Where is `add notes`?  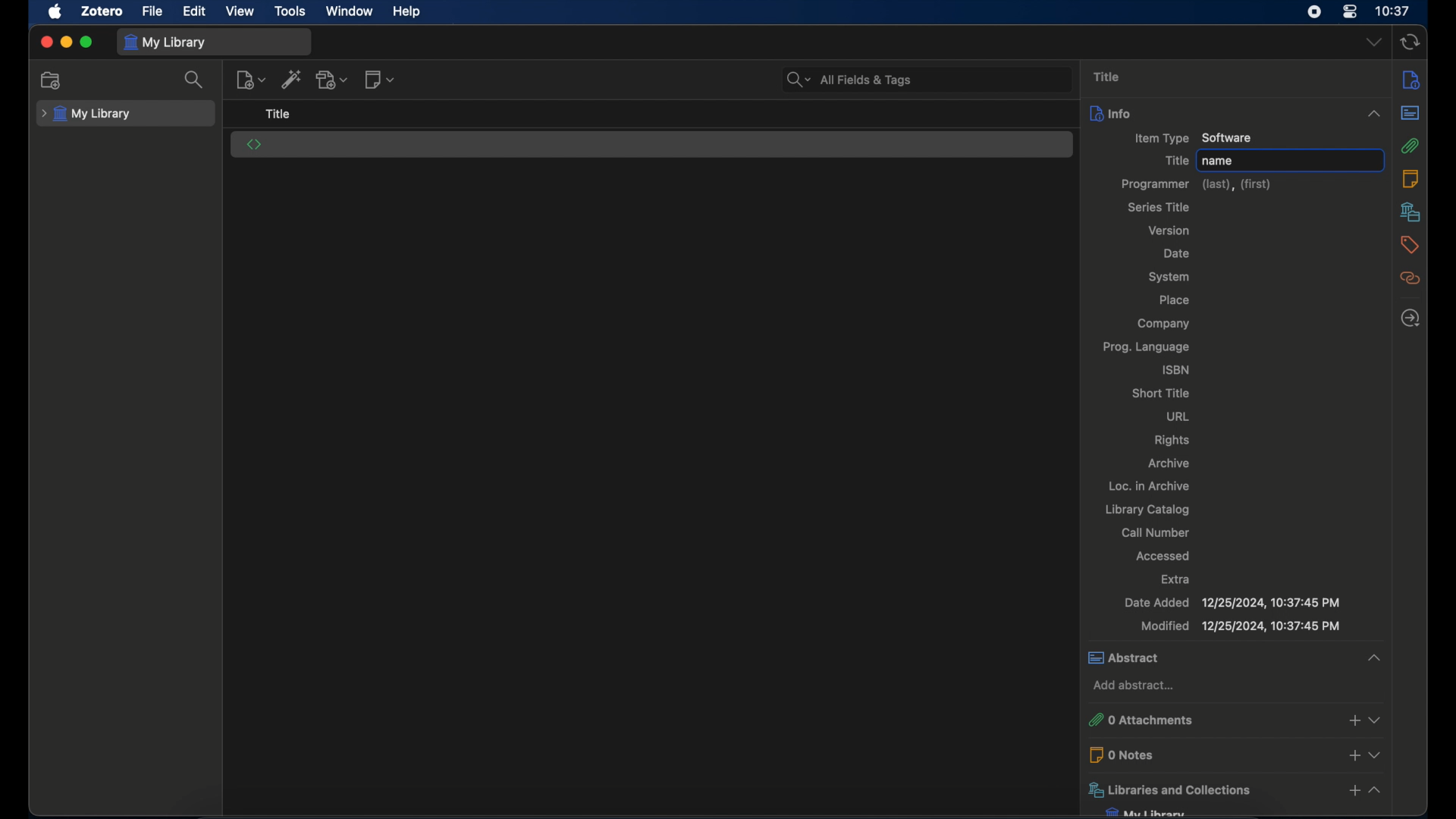
add notes is located at coordinates (1351, 756).